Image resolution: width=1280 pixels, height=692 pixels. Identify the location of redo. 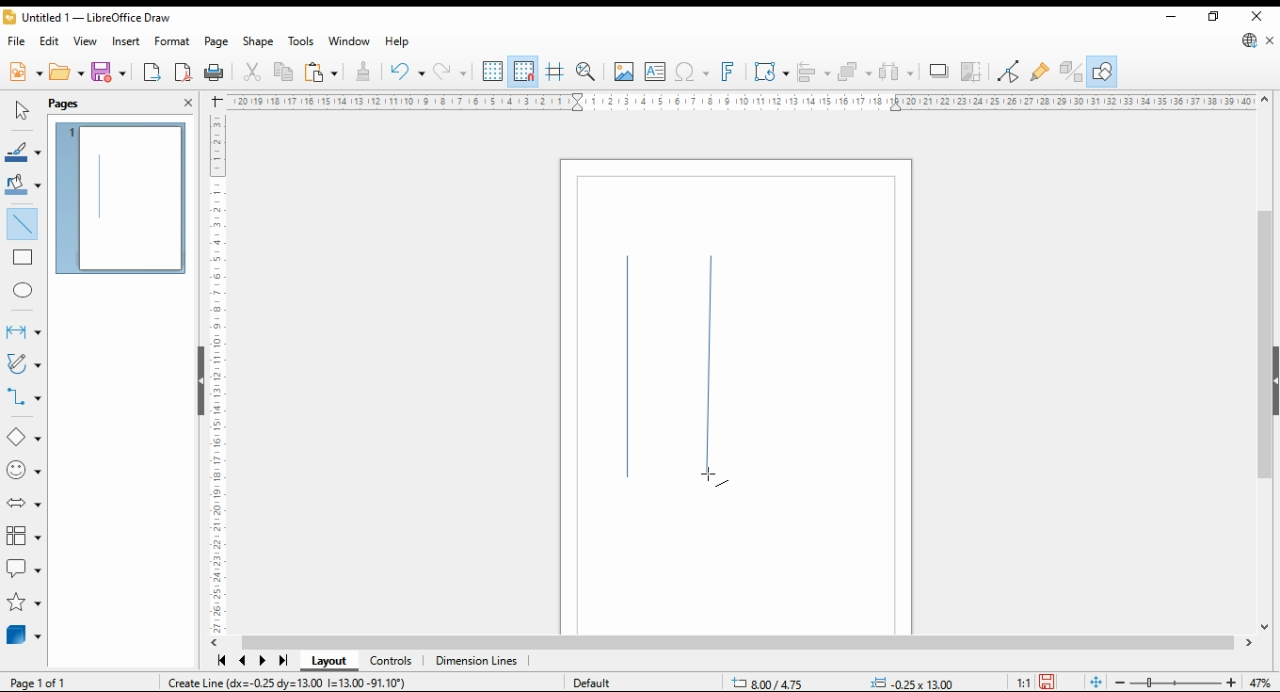
(406, 73).